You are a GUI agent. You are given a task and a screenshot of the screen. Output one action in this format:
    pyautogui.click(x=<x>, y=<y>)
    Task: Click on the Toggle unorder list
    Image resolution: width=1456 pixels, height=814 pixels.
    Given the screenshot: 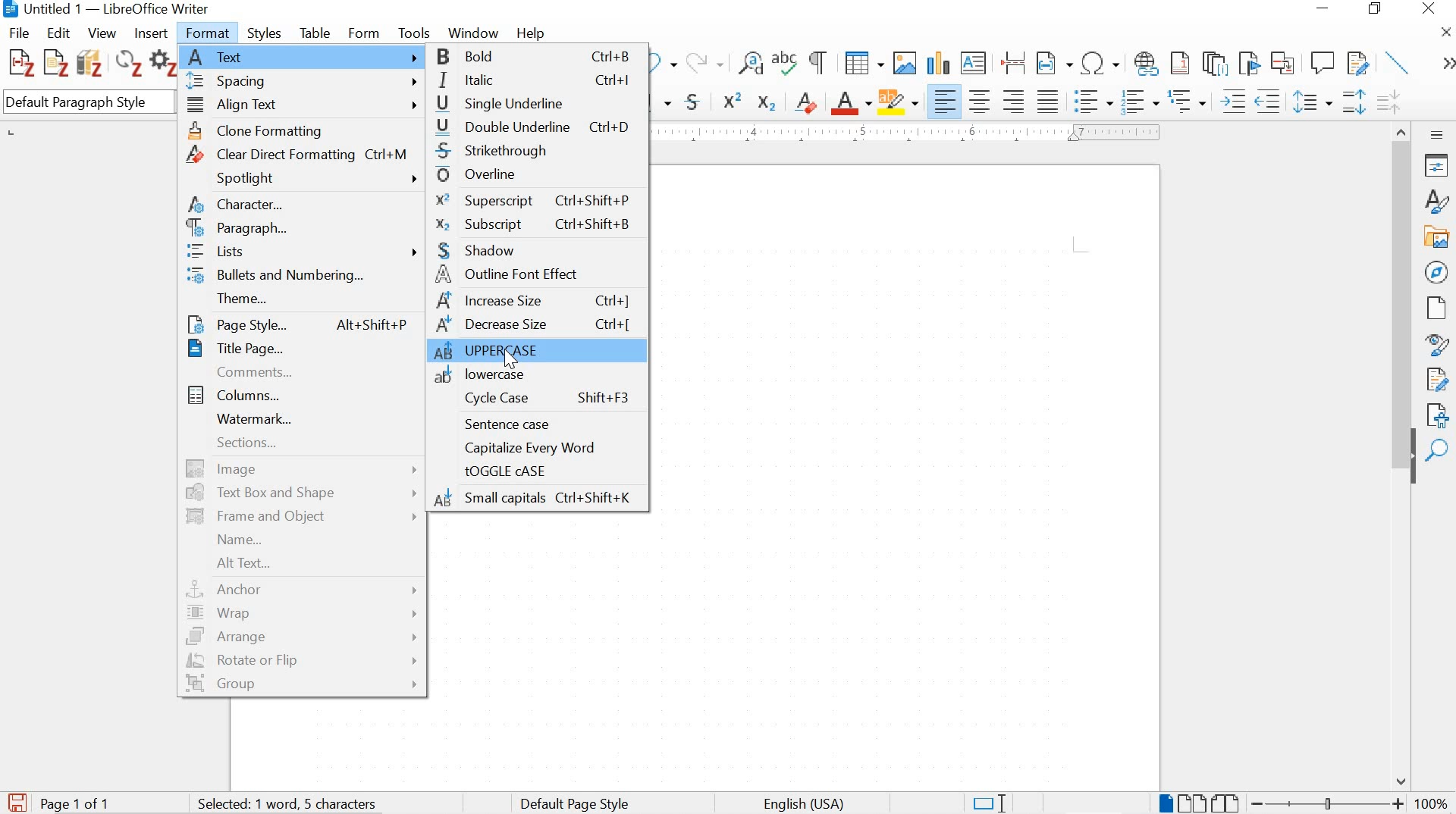 What is the action you would take?
    pyautogui.click(x=1091, y=99)
    